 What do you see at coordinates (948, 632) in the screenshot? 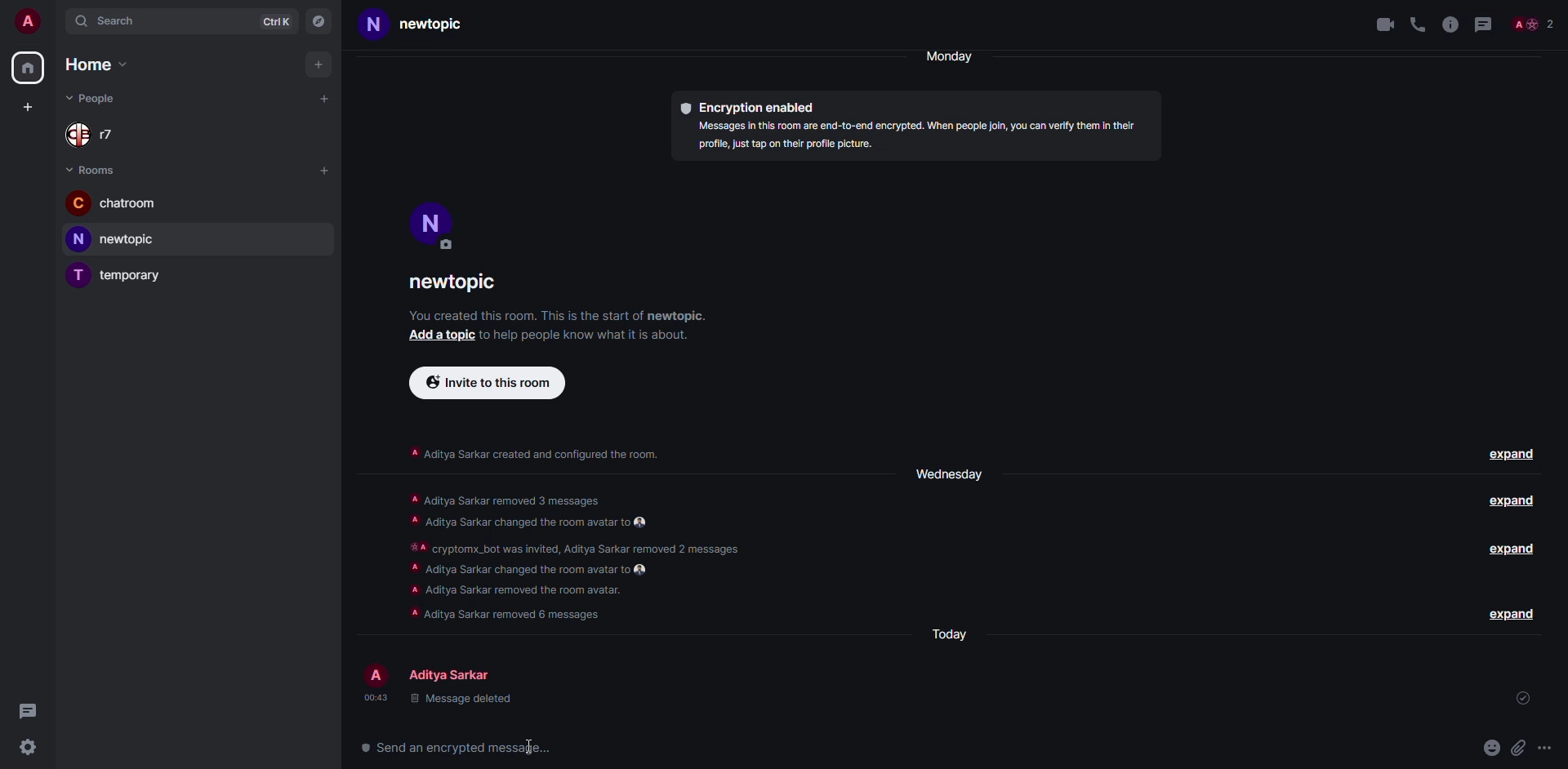
I see `day` at bounding box center [948, 632].